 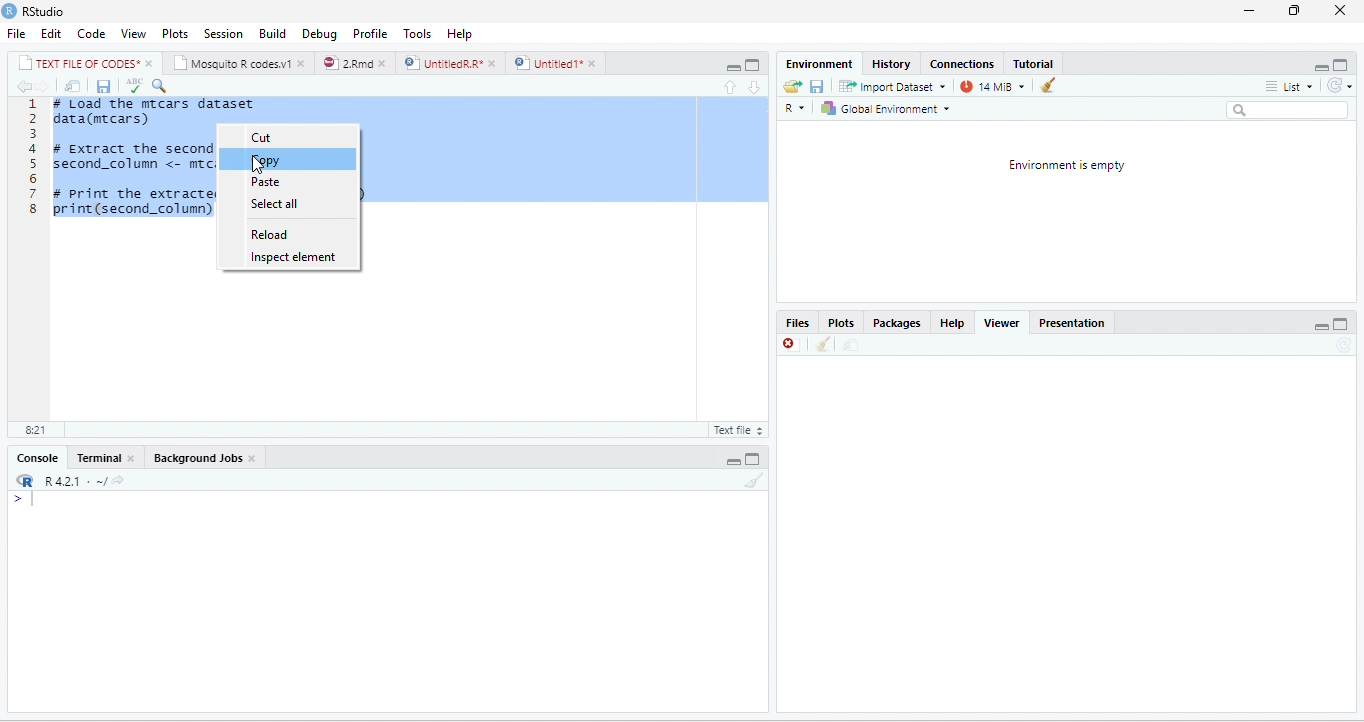 What do you see at coordinates (97, 459) in the screenshot?
I see `Terminal` at bounding box center [97, 459].